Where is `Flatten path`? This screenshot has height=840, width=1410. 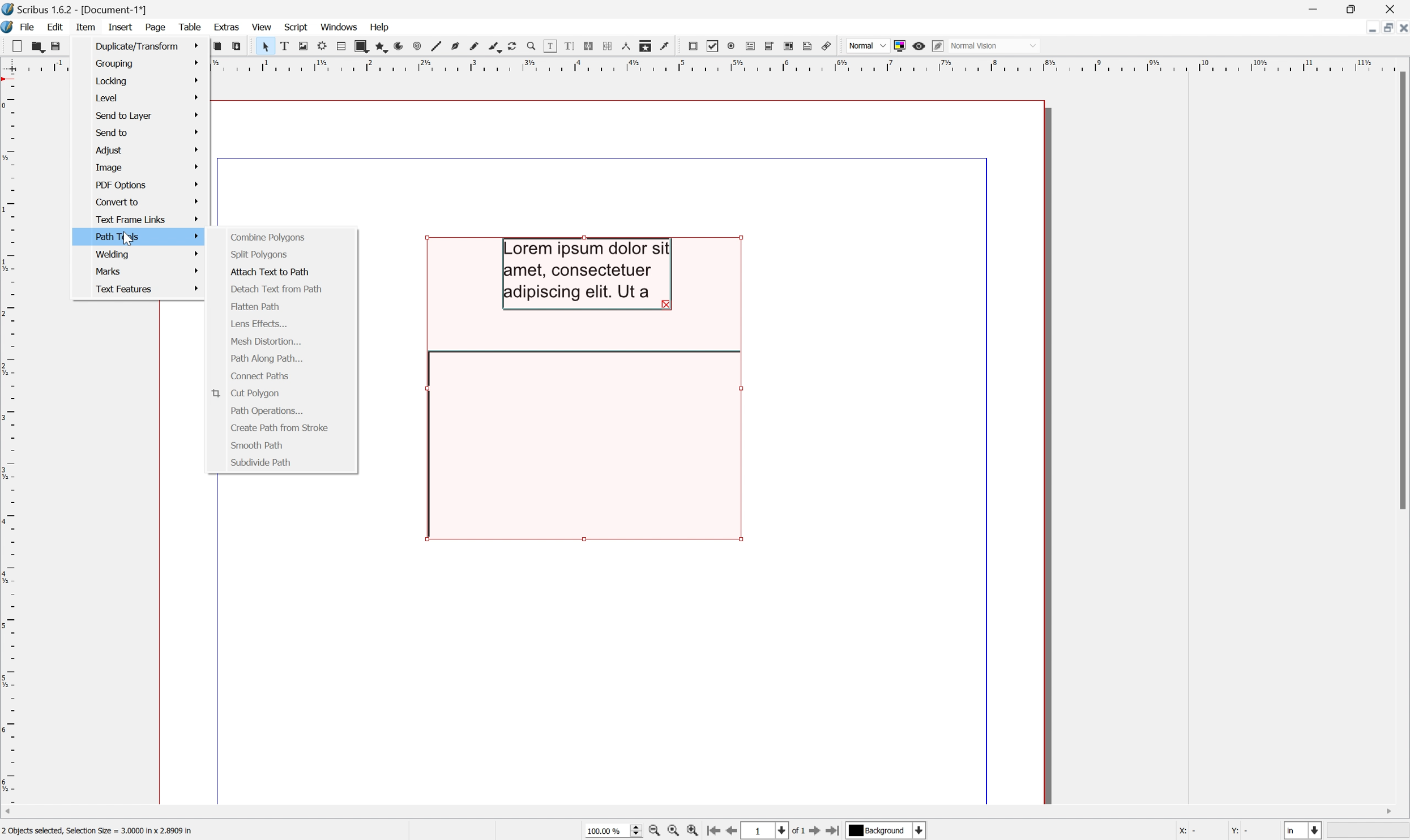 Flatten path is located at coordinates (254, 306).